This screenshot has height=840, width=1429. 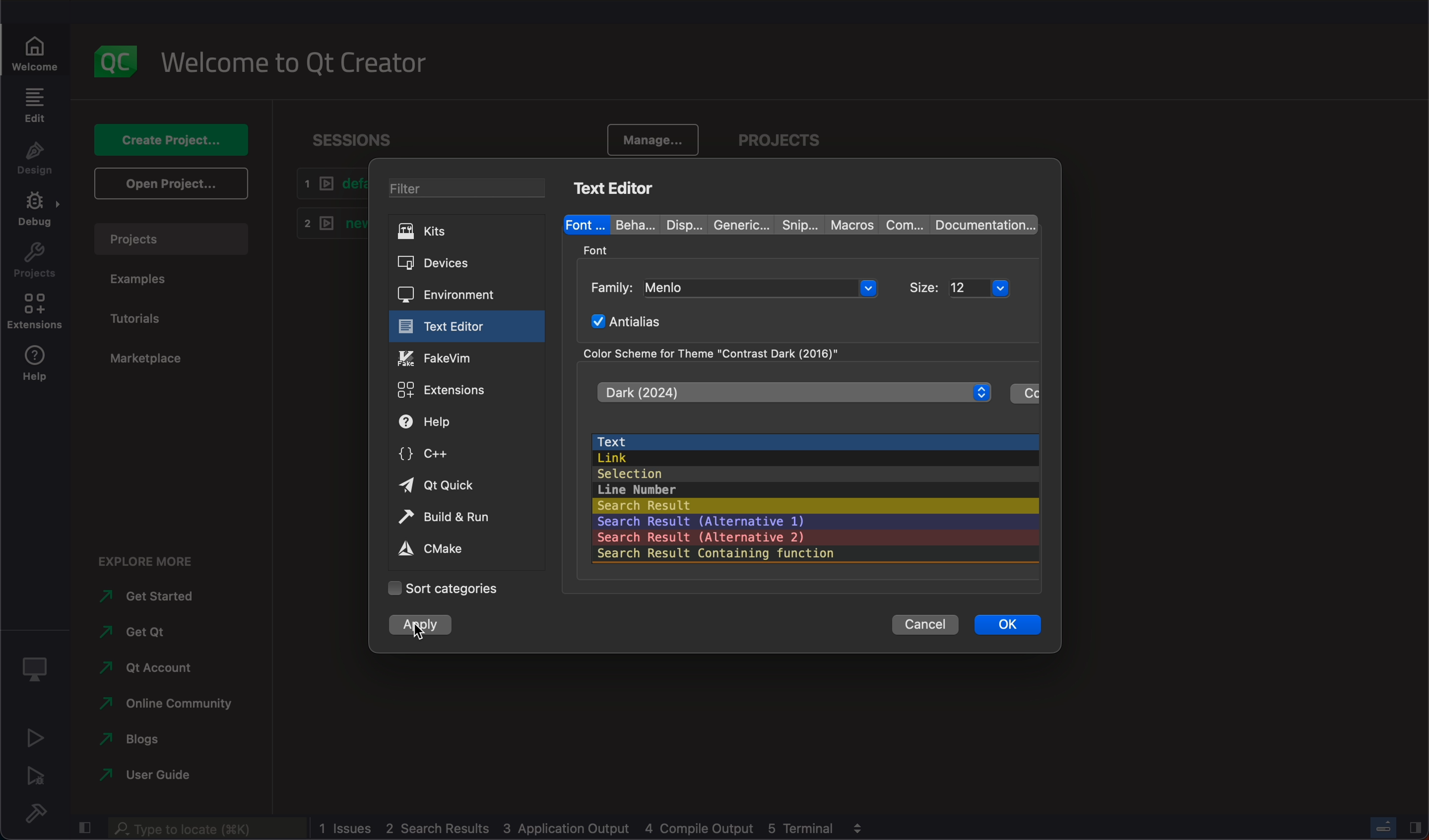 I want to click on guide, so click(x=156, y=775).